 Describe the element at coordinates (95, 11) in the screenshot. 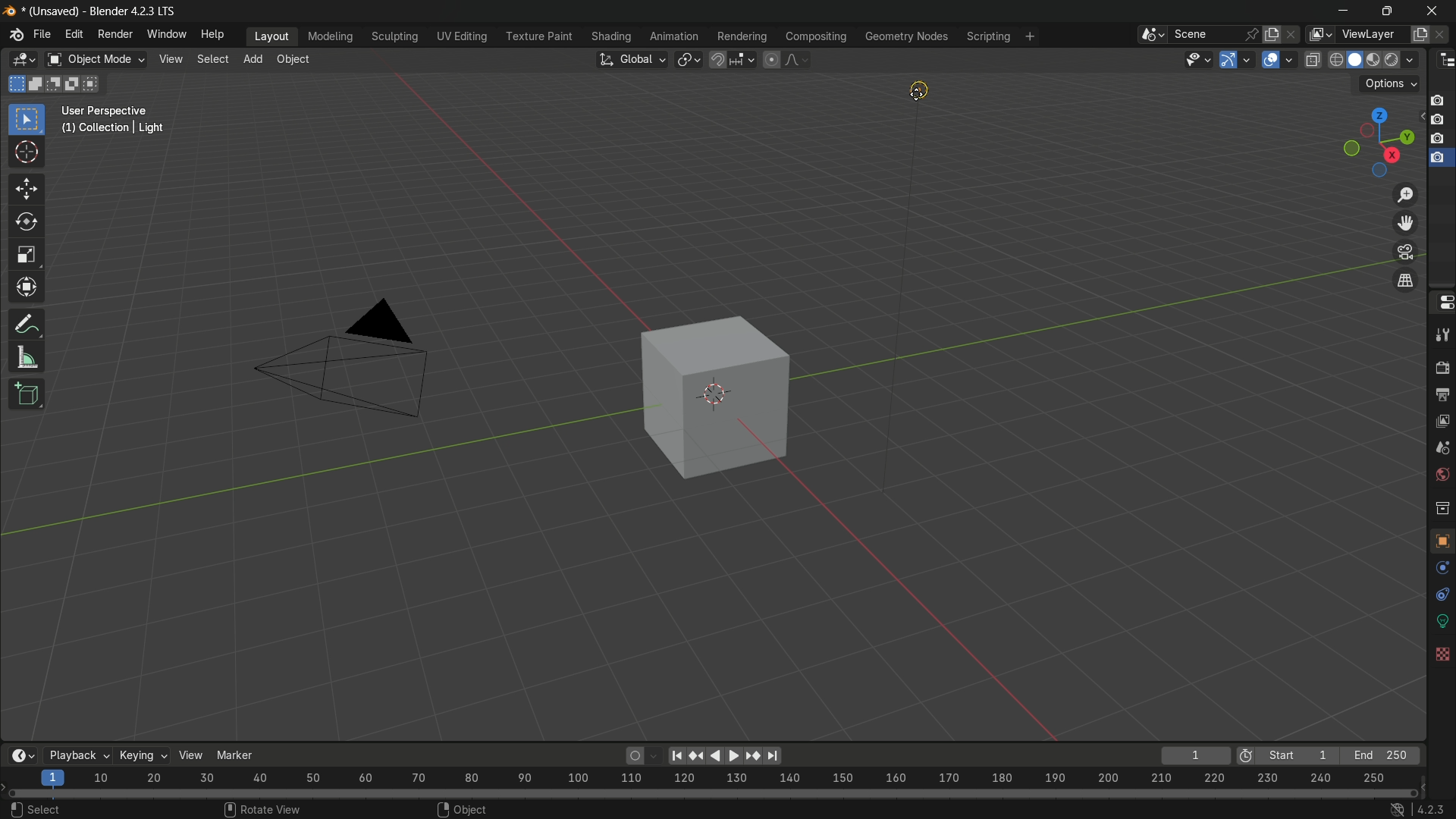

I see `(unsaved) - blender 4.2.3 lts` at that location.